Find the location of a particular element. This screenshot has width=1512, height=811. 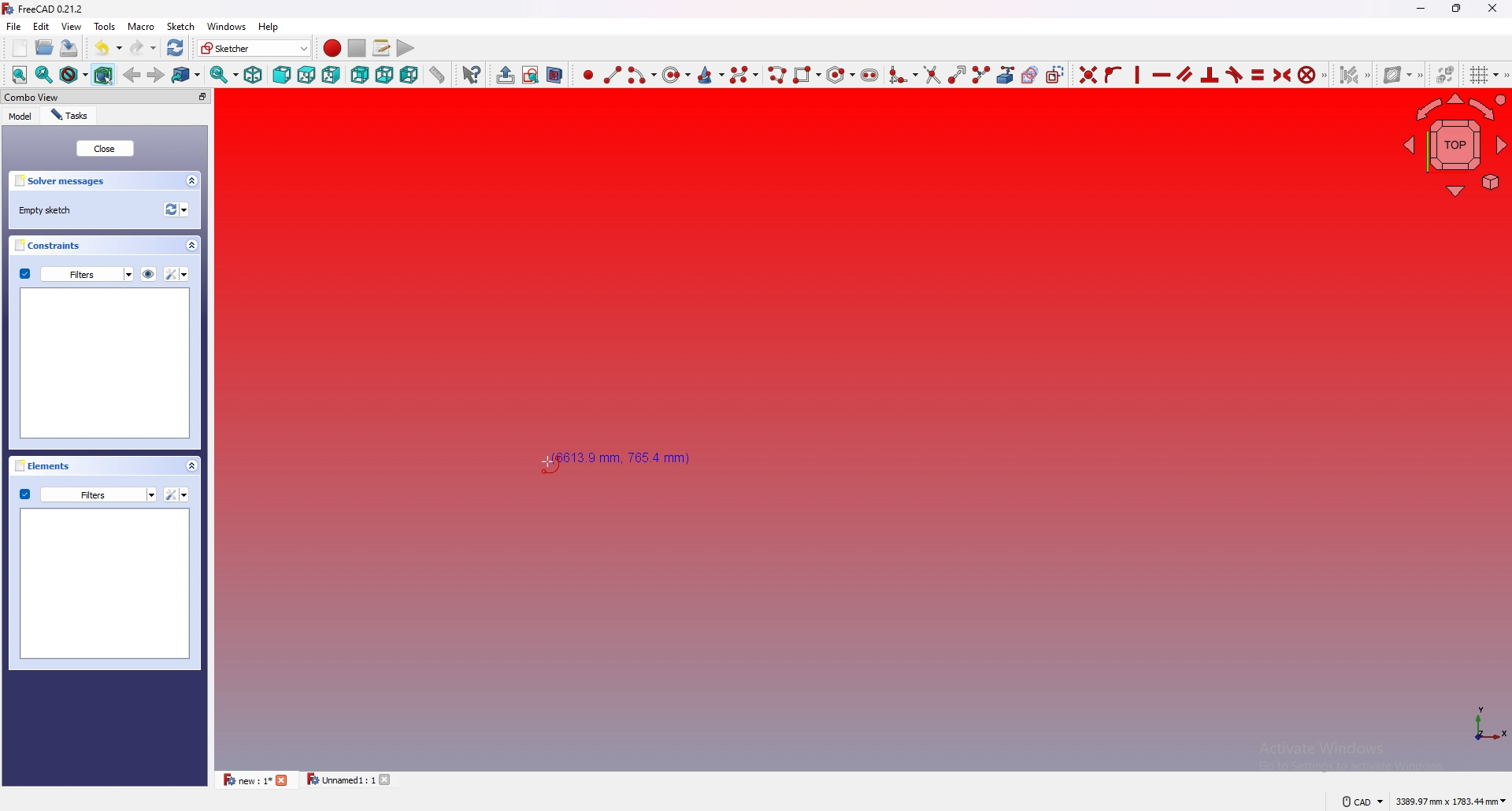

create poly line is located at coordinates (776, 75).